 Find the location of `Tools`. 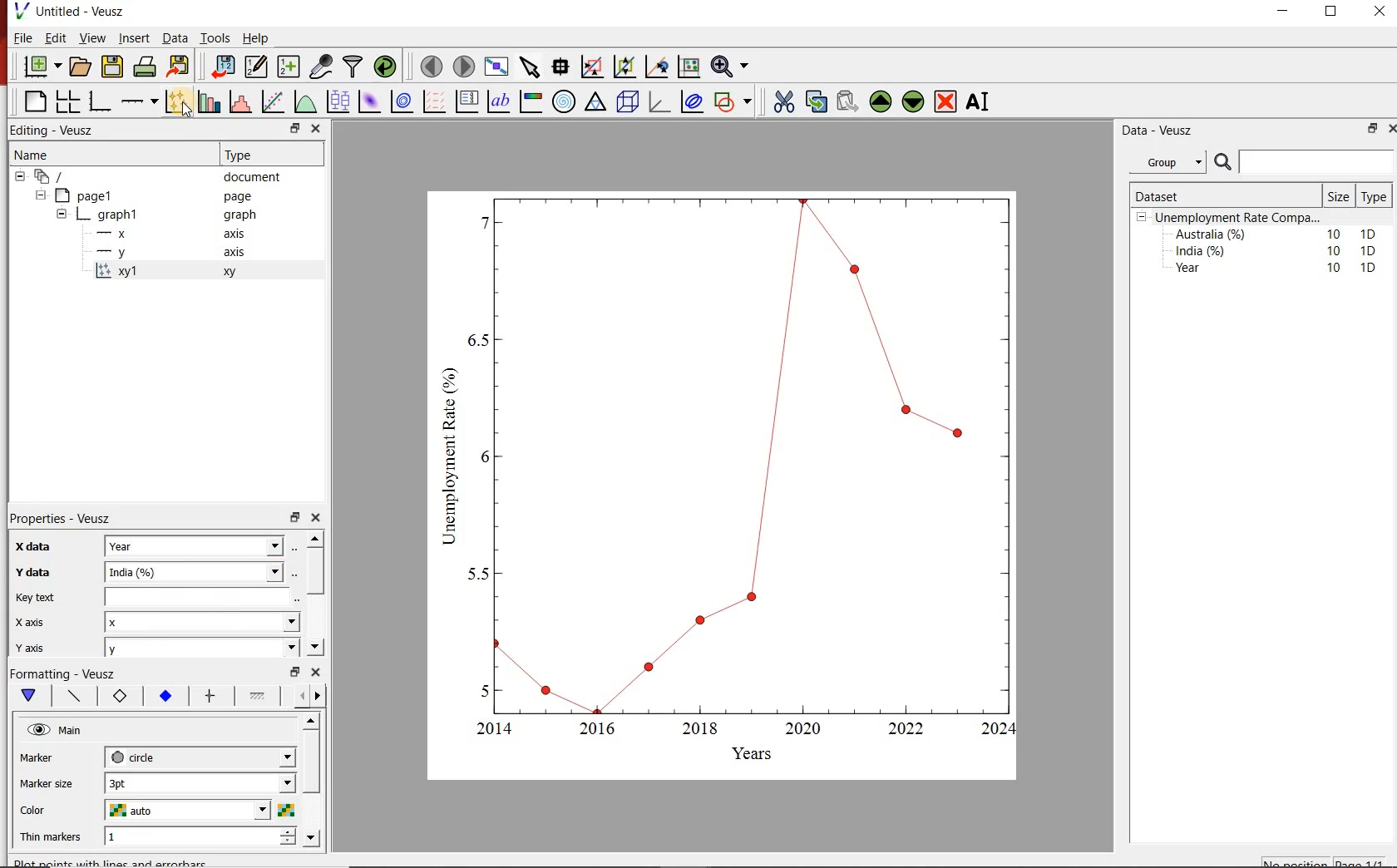

Tools is located at coordinates (216, 37).